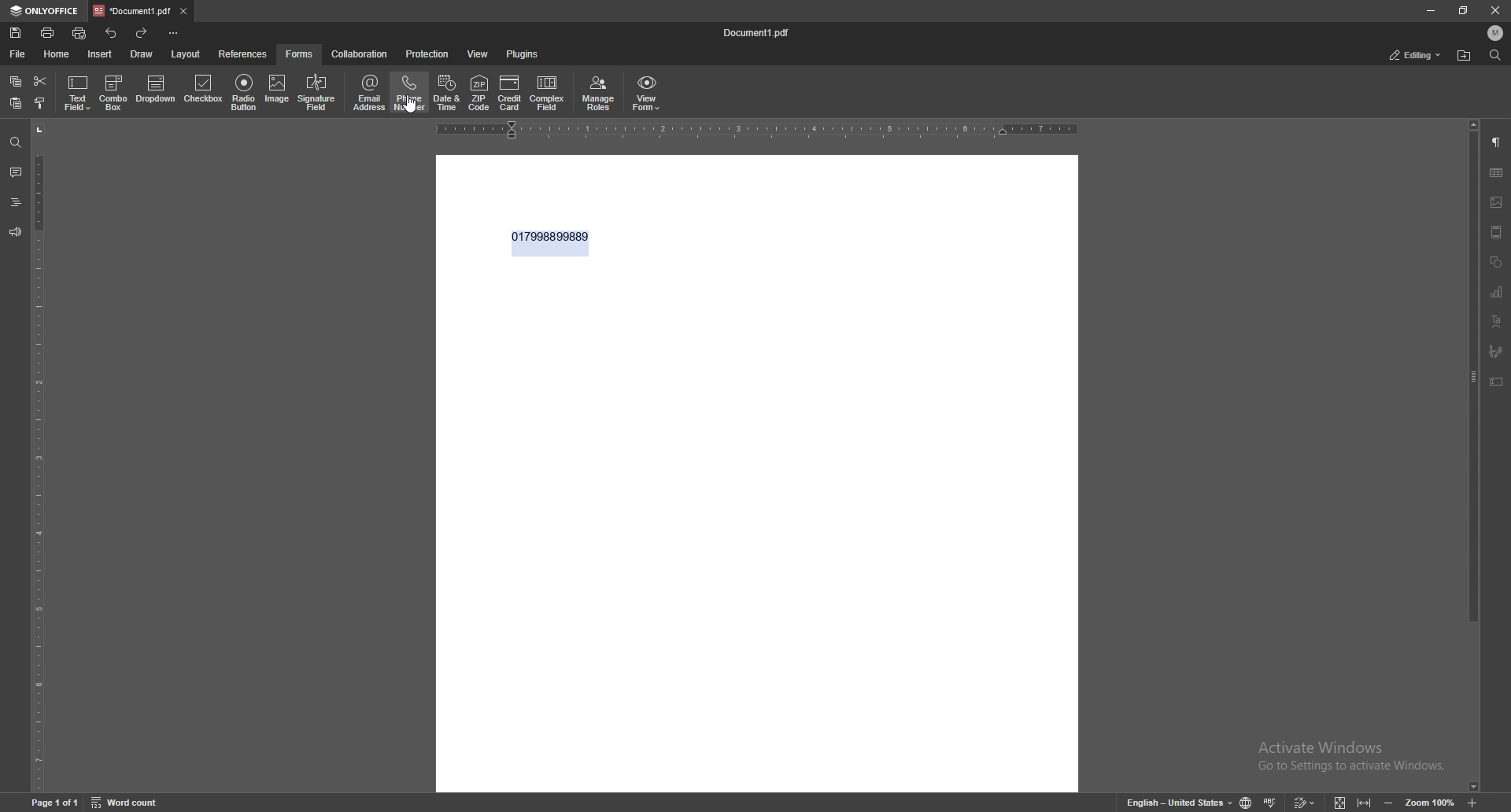  What do you see at coordinates (1431, 10) in the screenshot?
I see `minimize` at bounding box center [1431, 10].